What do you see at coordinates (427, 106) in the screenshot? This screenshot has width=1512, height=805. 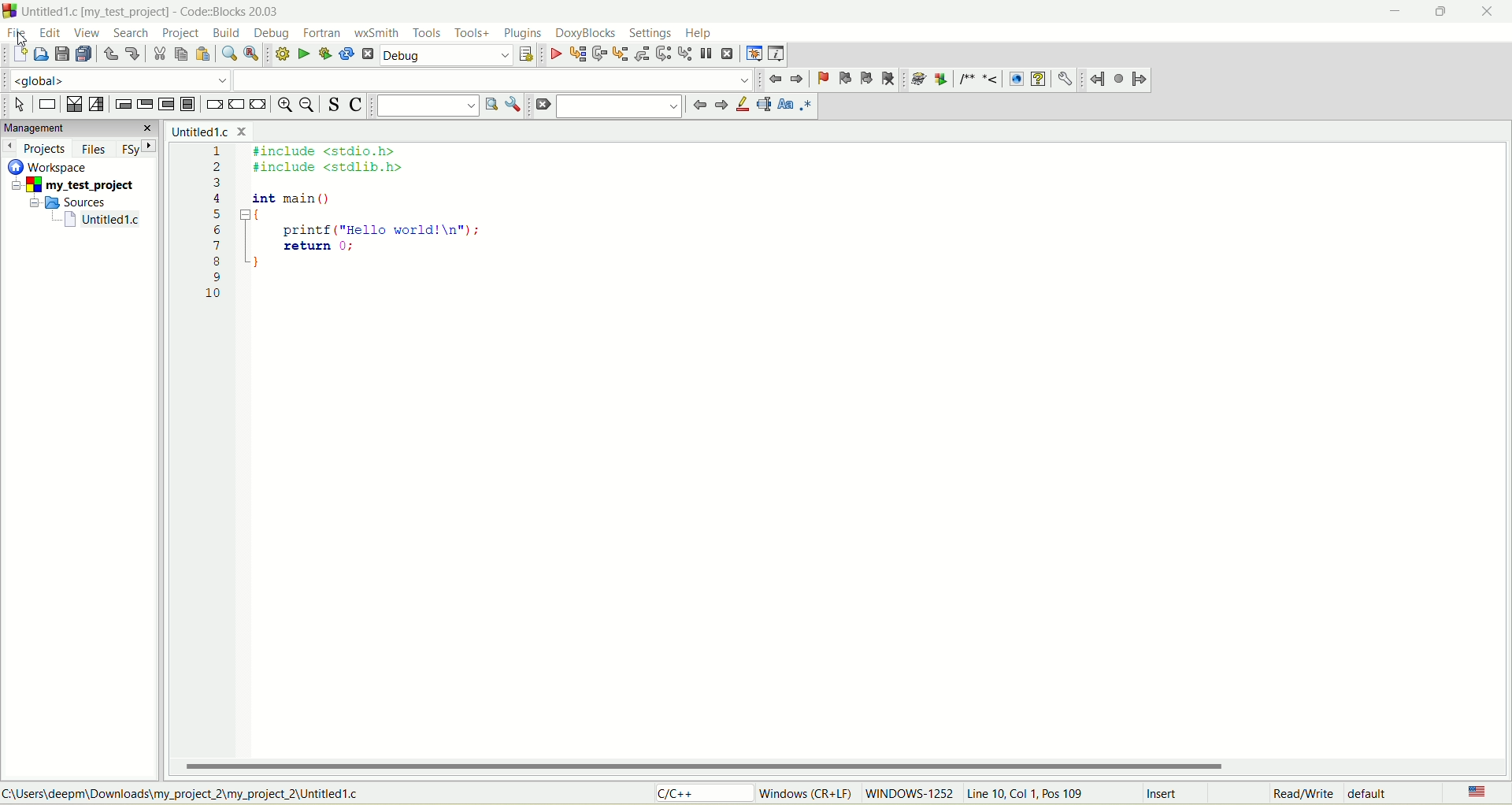 I see `text search` at bounding box center [427, 106].